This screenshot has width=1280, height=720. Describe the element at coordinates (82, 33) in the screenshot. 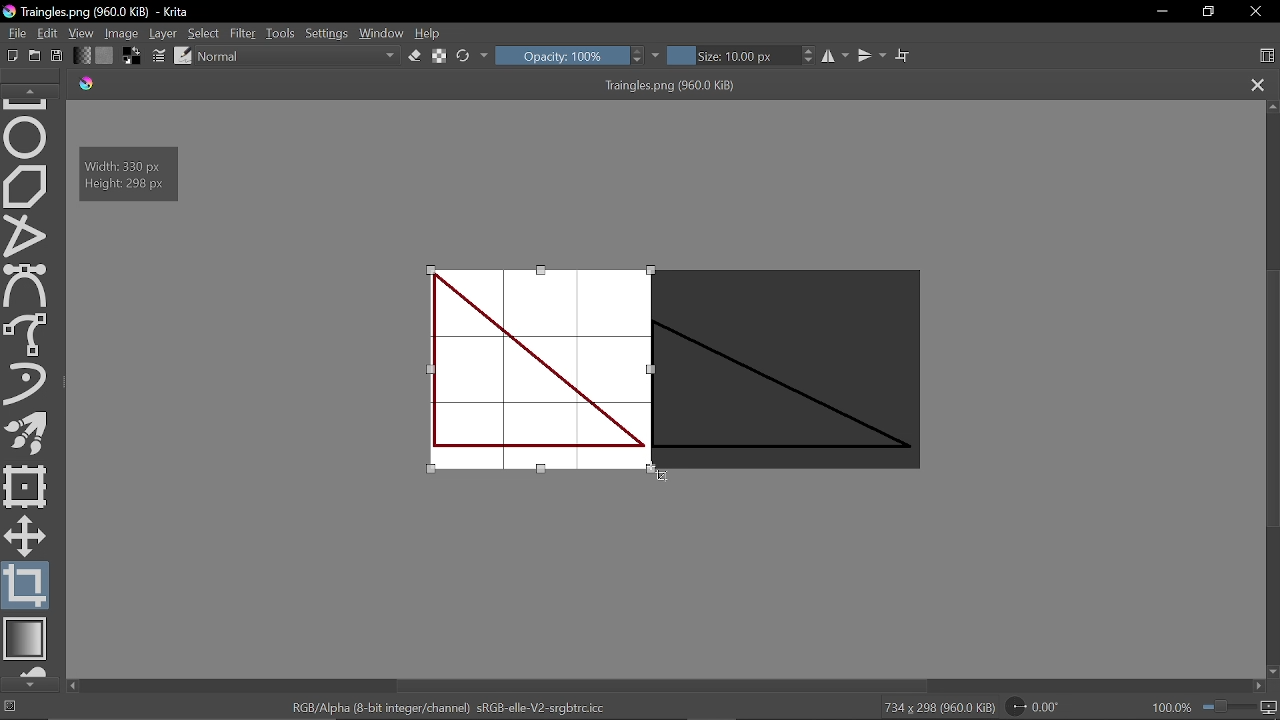

I see `View` at that location.